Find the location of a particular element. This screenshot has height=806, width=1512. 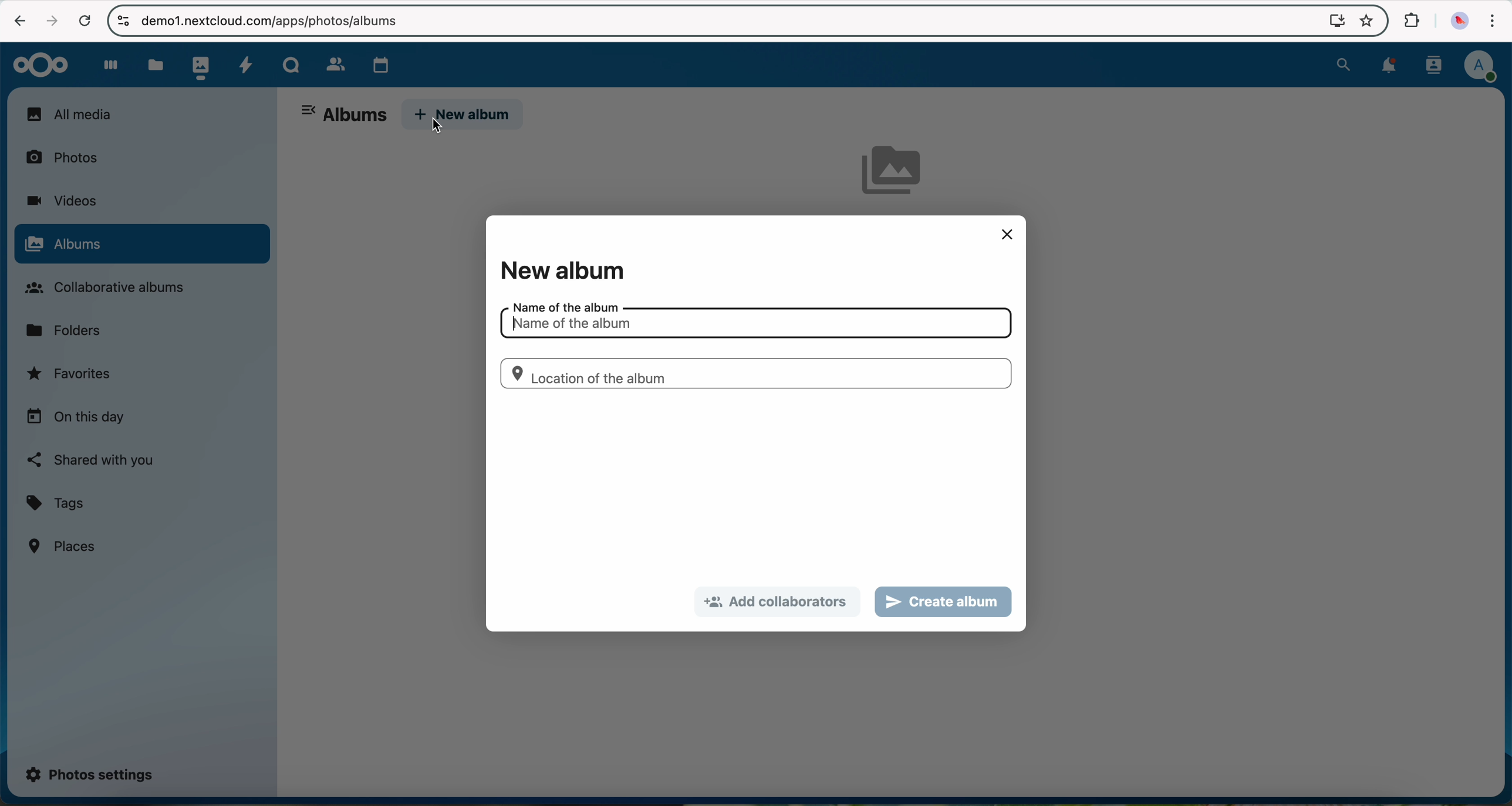

search is located at coordinates (1343, 63).